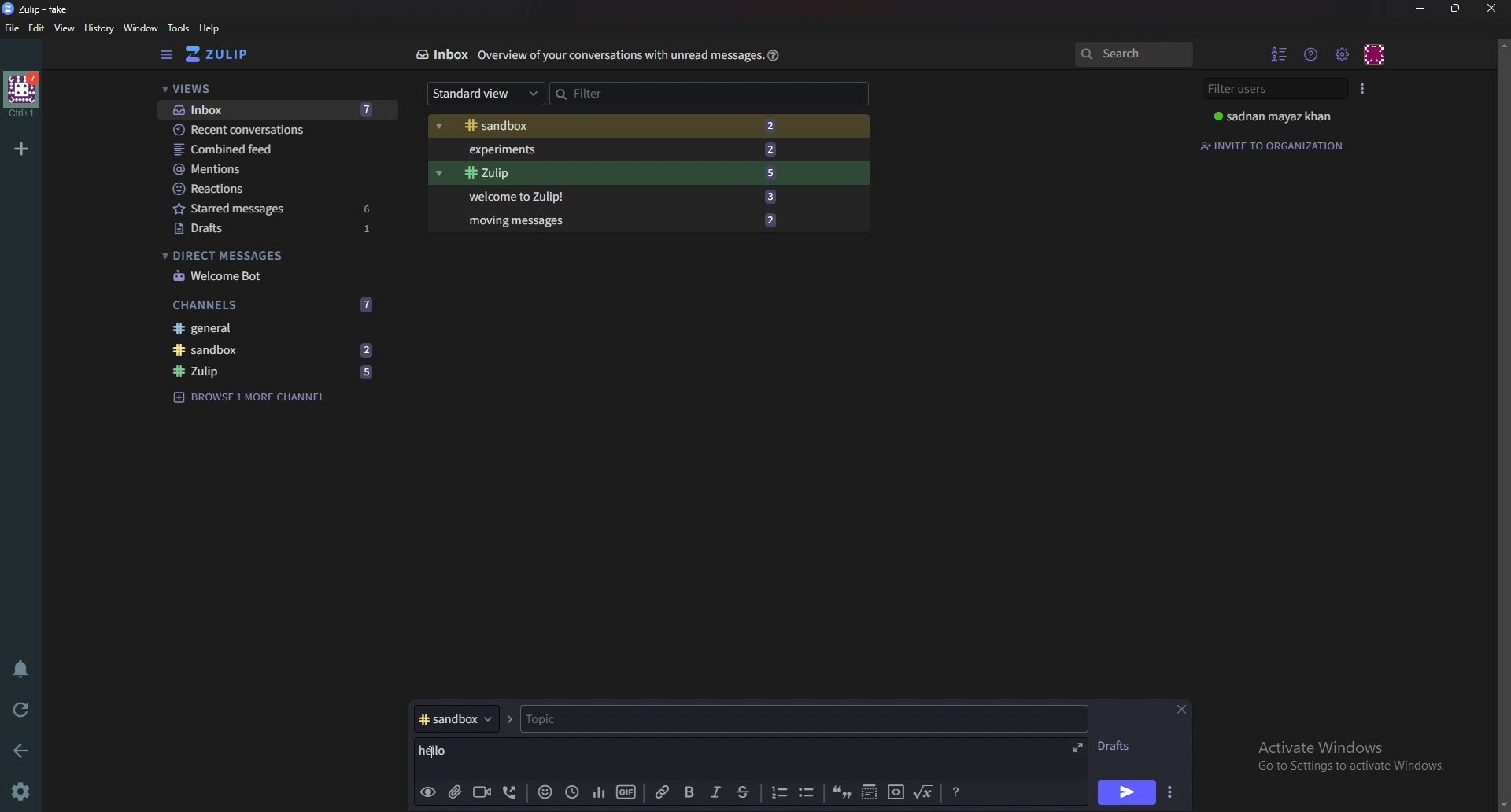  I want to click on Invite to organization, so click(1273, 145).